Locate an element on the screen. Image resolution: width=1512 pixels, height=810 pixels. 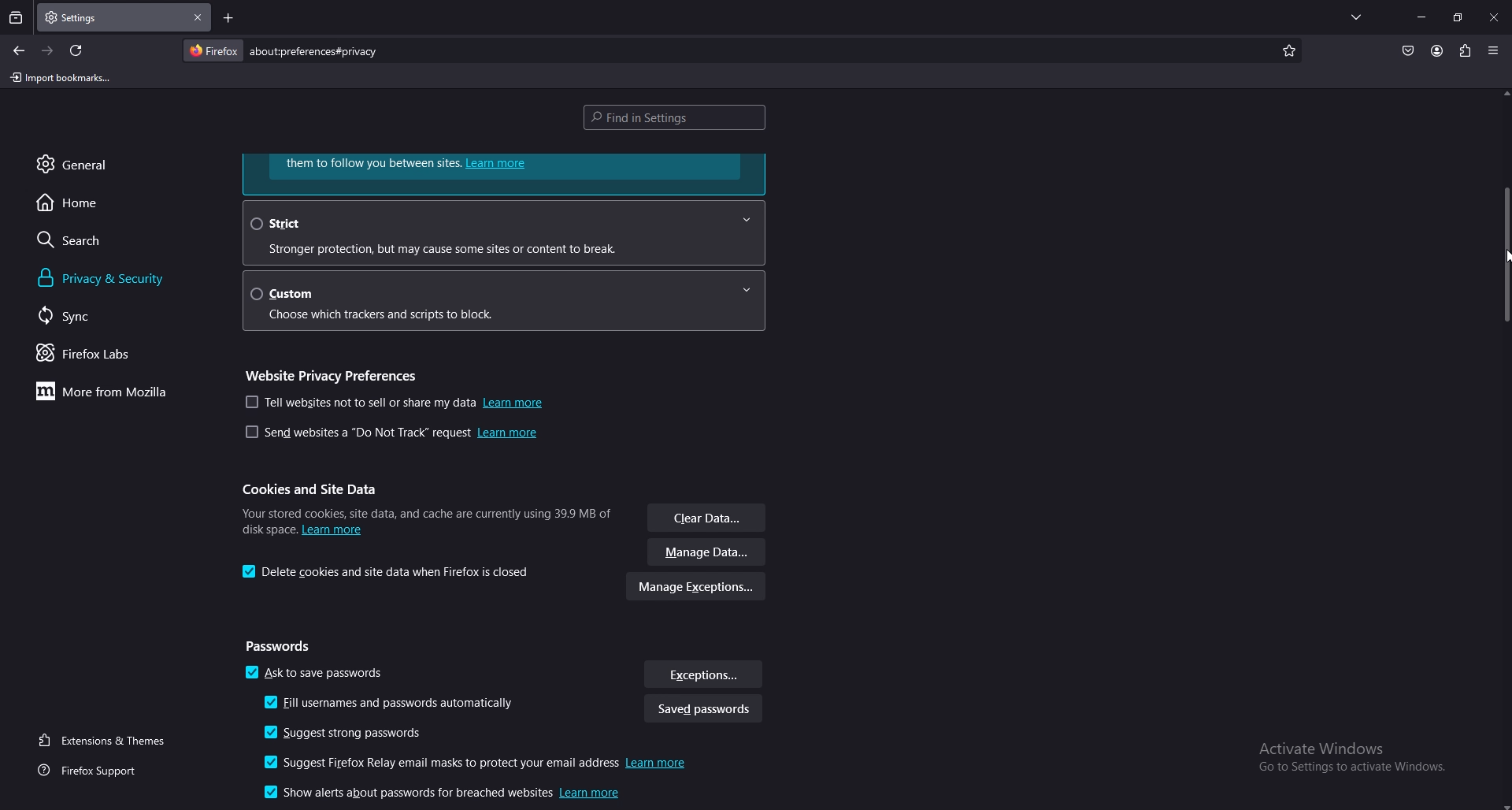
more from mozilla is located at coordinates (110, 393).